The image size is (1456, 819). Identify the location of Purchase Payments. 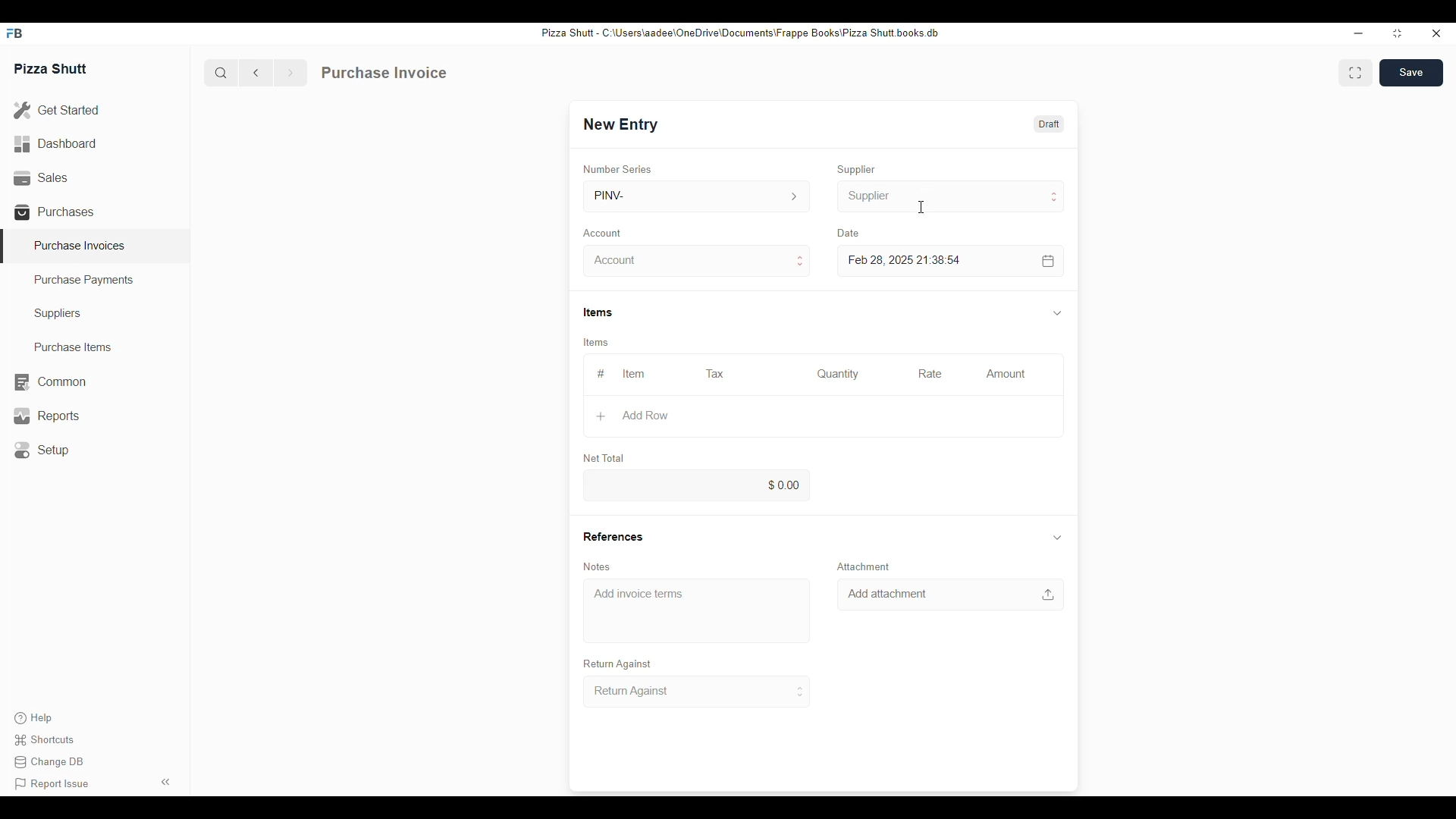
(85, 281).